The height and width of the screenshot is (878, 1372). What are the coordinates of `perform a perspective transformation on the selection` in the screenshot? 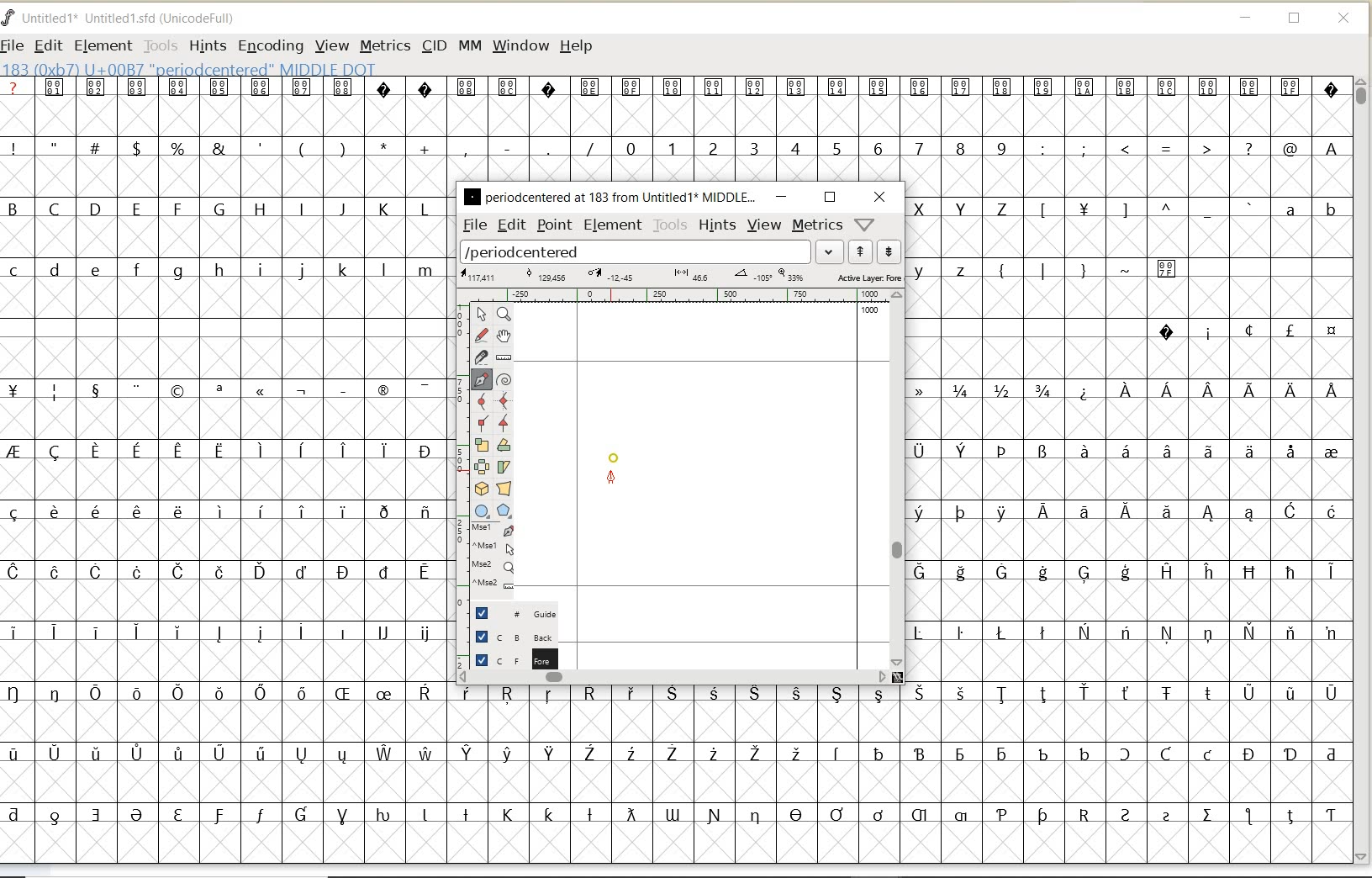 It's located at (504, 489).